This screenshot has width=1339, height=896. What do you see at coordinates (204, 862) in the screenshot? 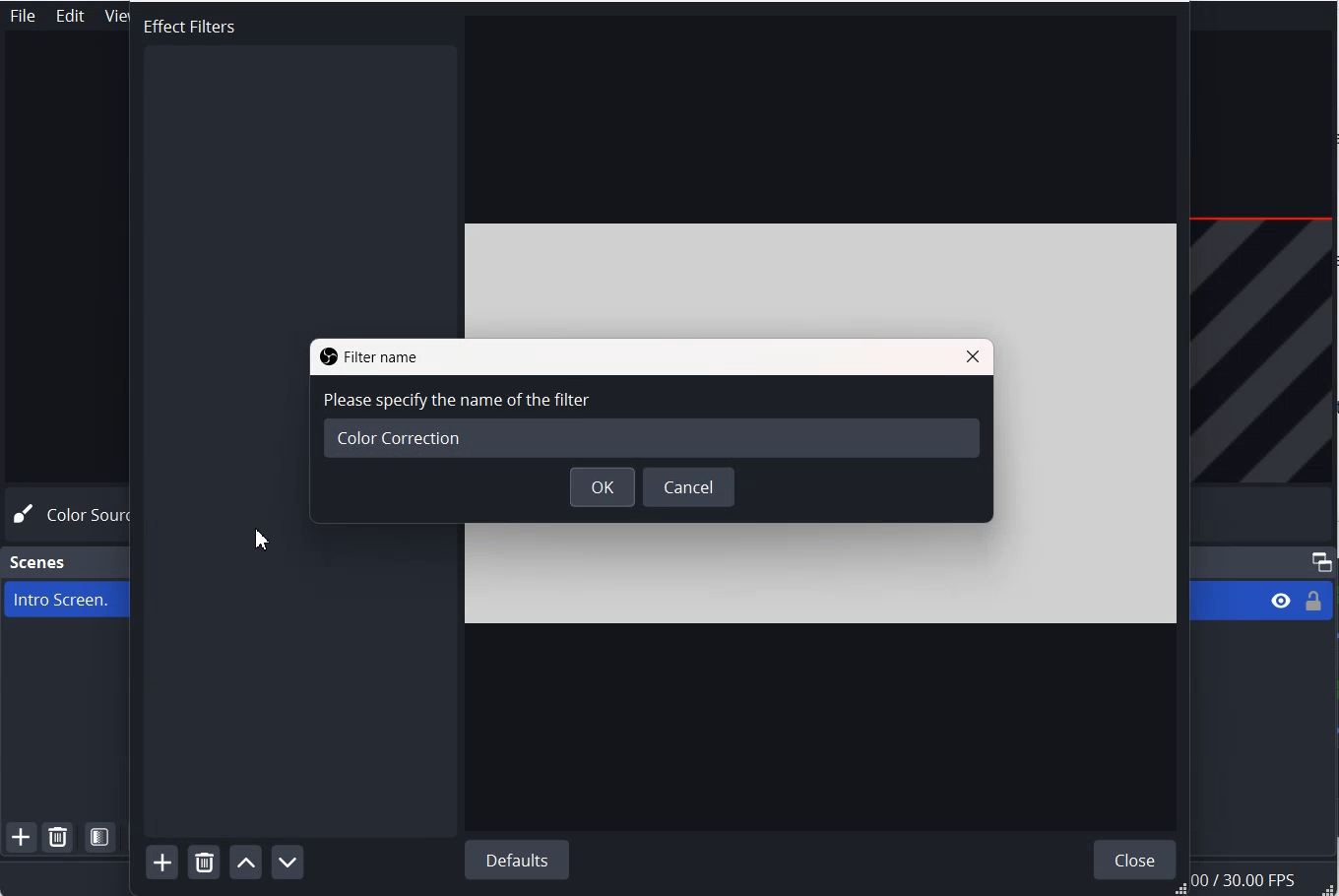
I see `Remove selected filter` at bounding box center [204, 862].